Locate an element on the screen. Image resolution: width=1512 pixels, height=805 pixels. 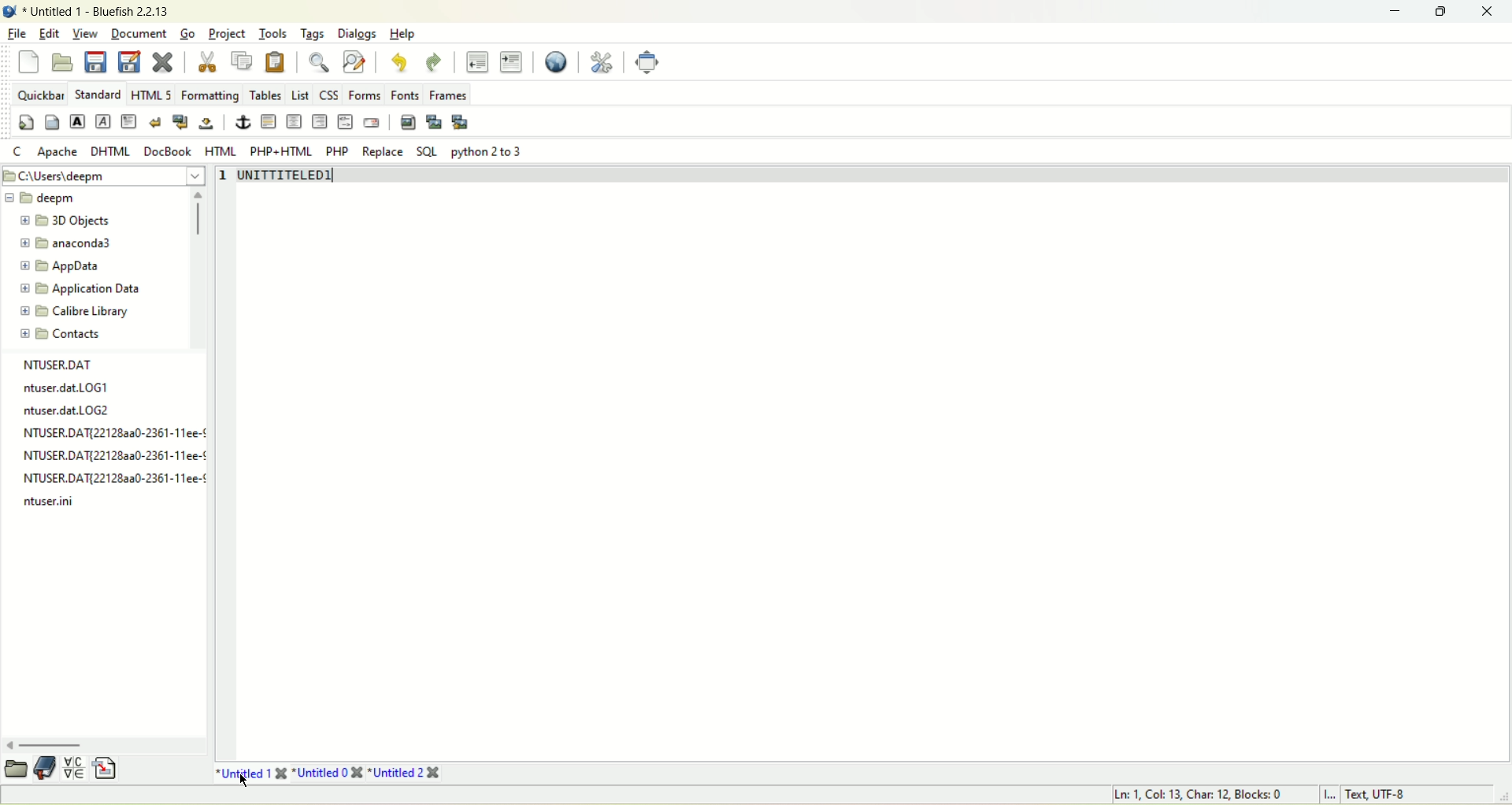
horizontal rule is located at coordinates (268, 121).